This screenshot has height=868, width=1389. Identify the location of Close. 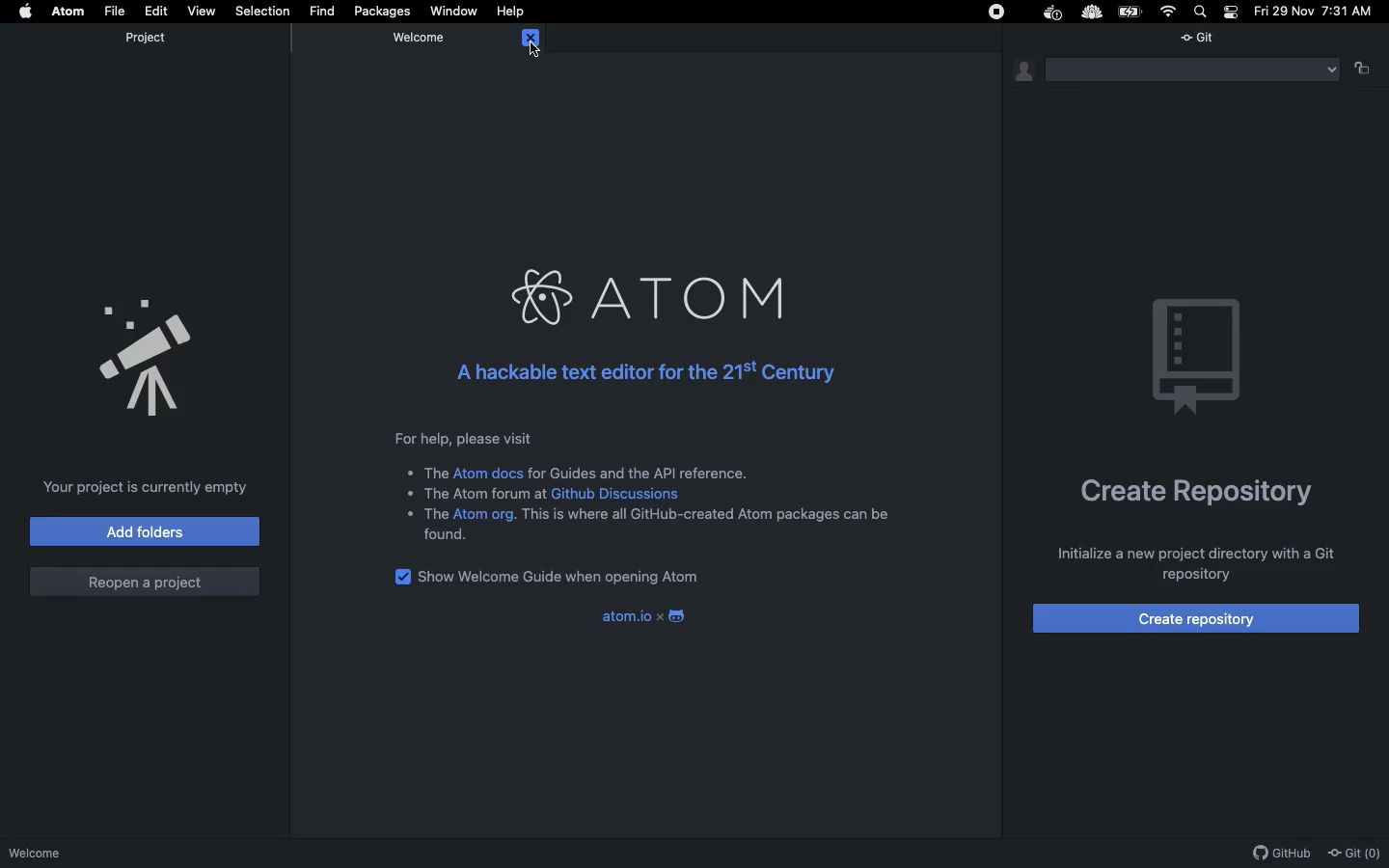
(531, 39).